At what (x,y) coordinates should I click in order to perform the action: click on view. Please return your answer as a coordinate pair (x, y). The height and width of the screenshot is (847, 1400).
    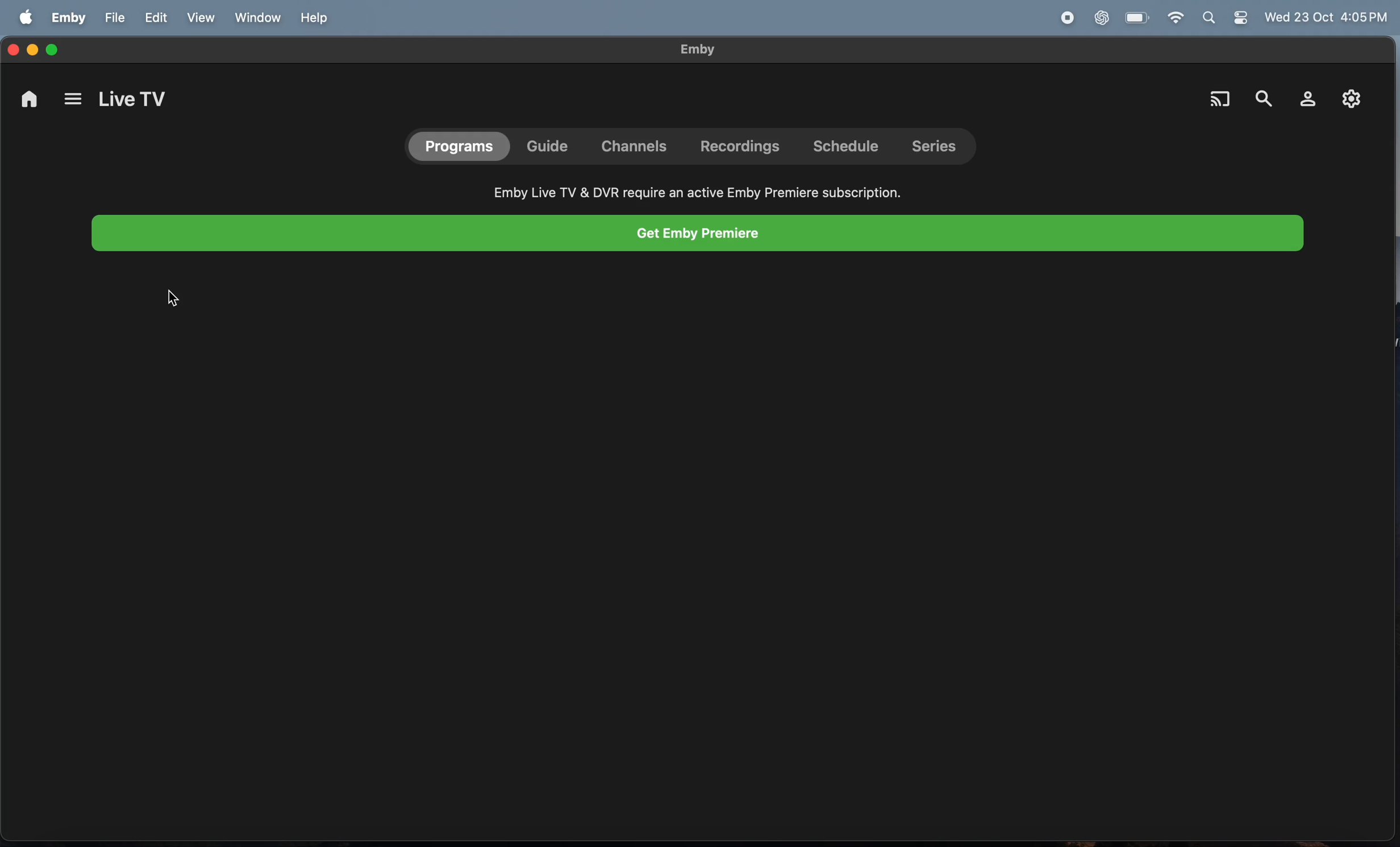
    Looking at the image, I should click on (199, 18).